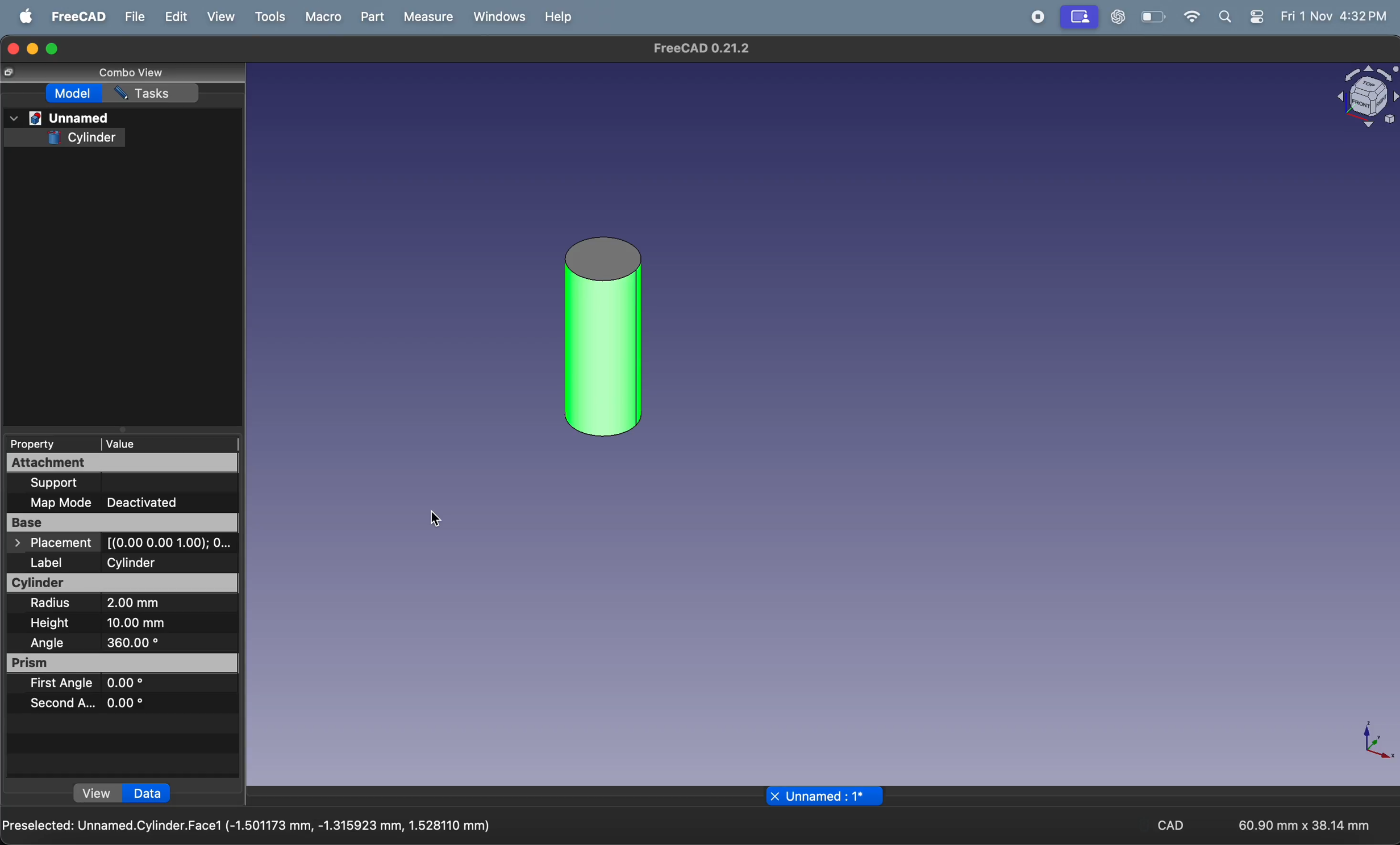  What do you see at coordinates (56, 48) in the screenshot?
I see `maximize` at bounding box center [56, 48].